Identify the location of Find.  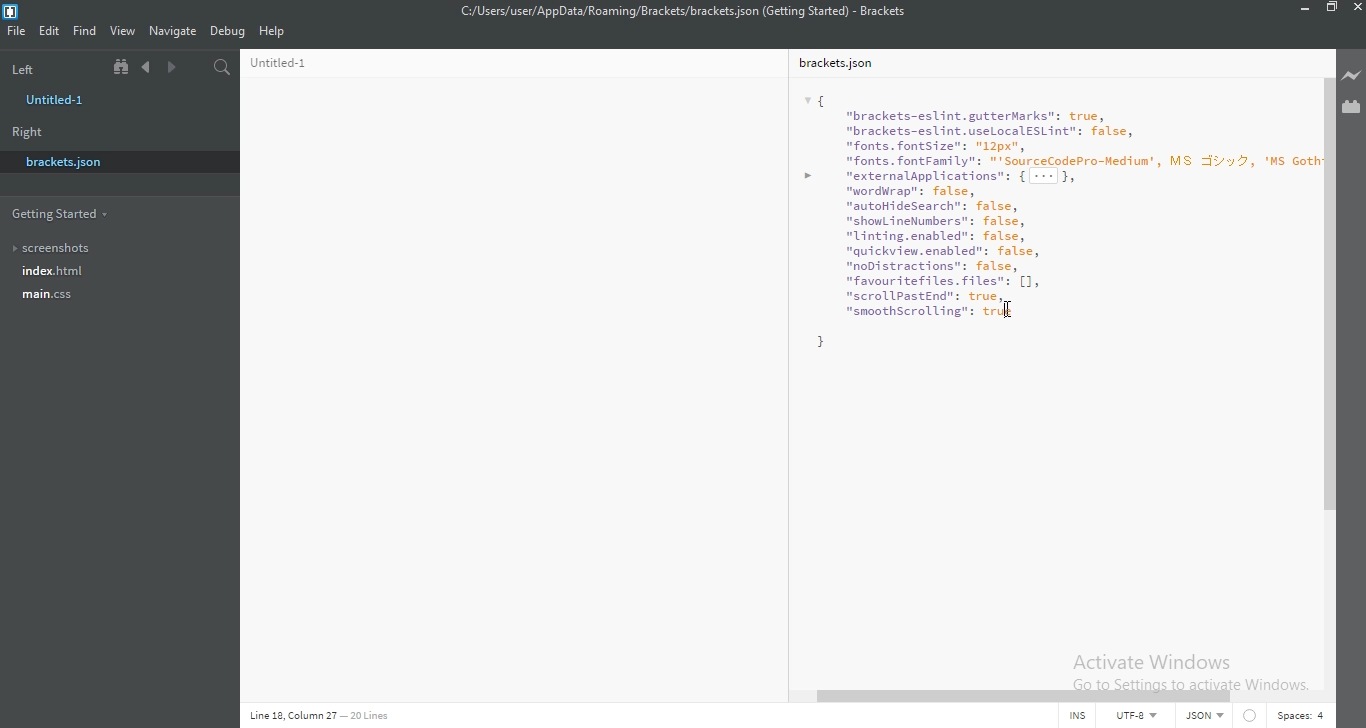
(87, 30).